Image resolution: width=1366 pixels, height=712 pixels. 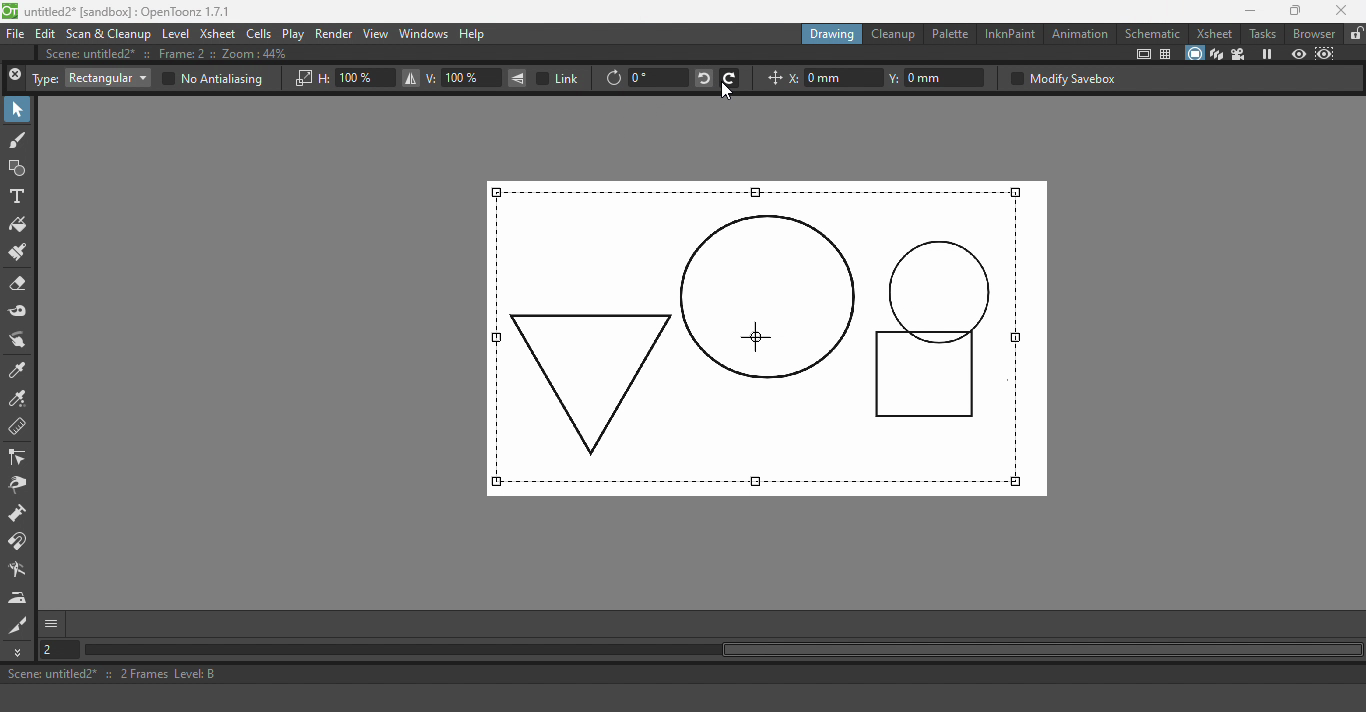 I want to click on Scene: untitled2* :: 2 Frames Level: B, so click(x=681, y=675).